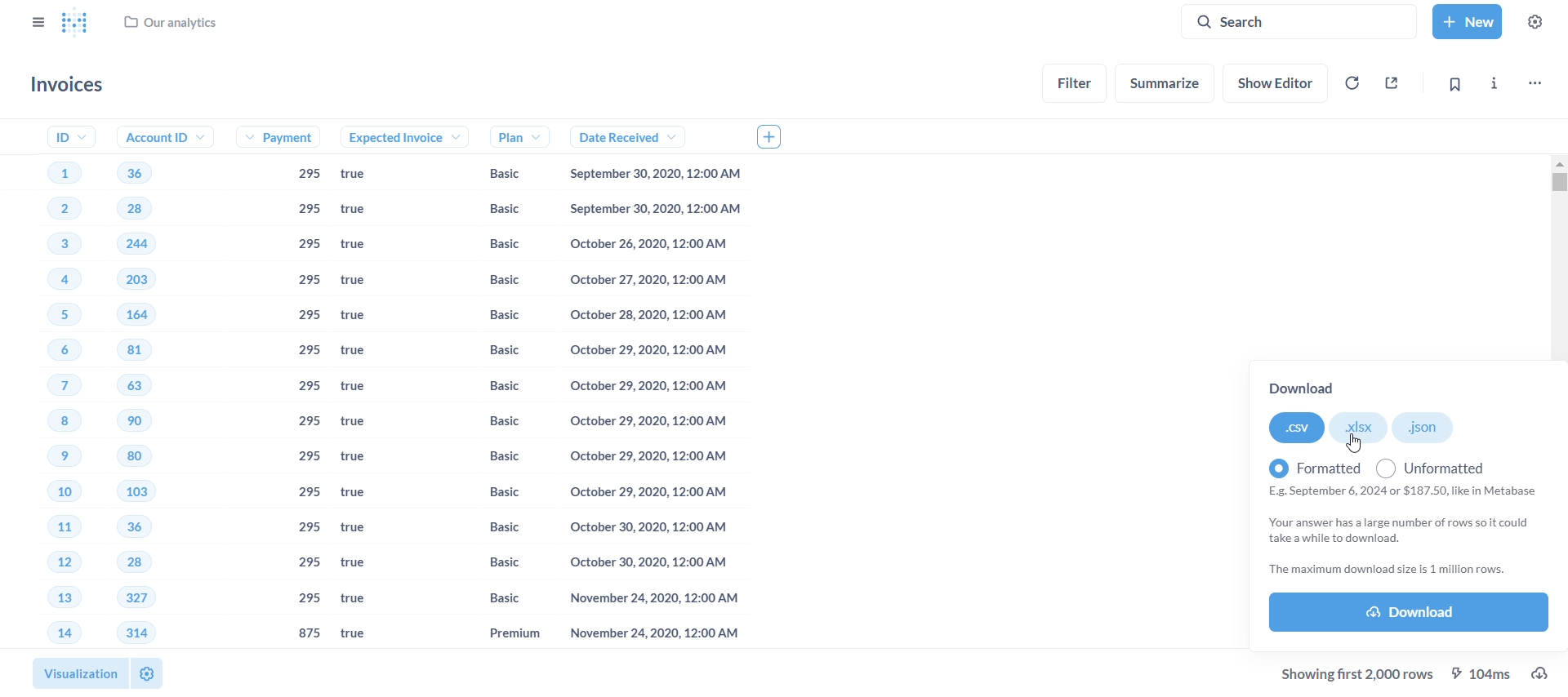 The image size is (1568, 697). What do you see at coordinates (52, 246) in the screenshot?
I see `3` at bounding box center [52, 246].